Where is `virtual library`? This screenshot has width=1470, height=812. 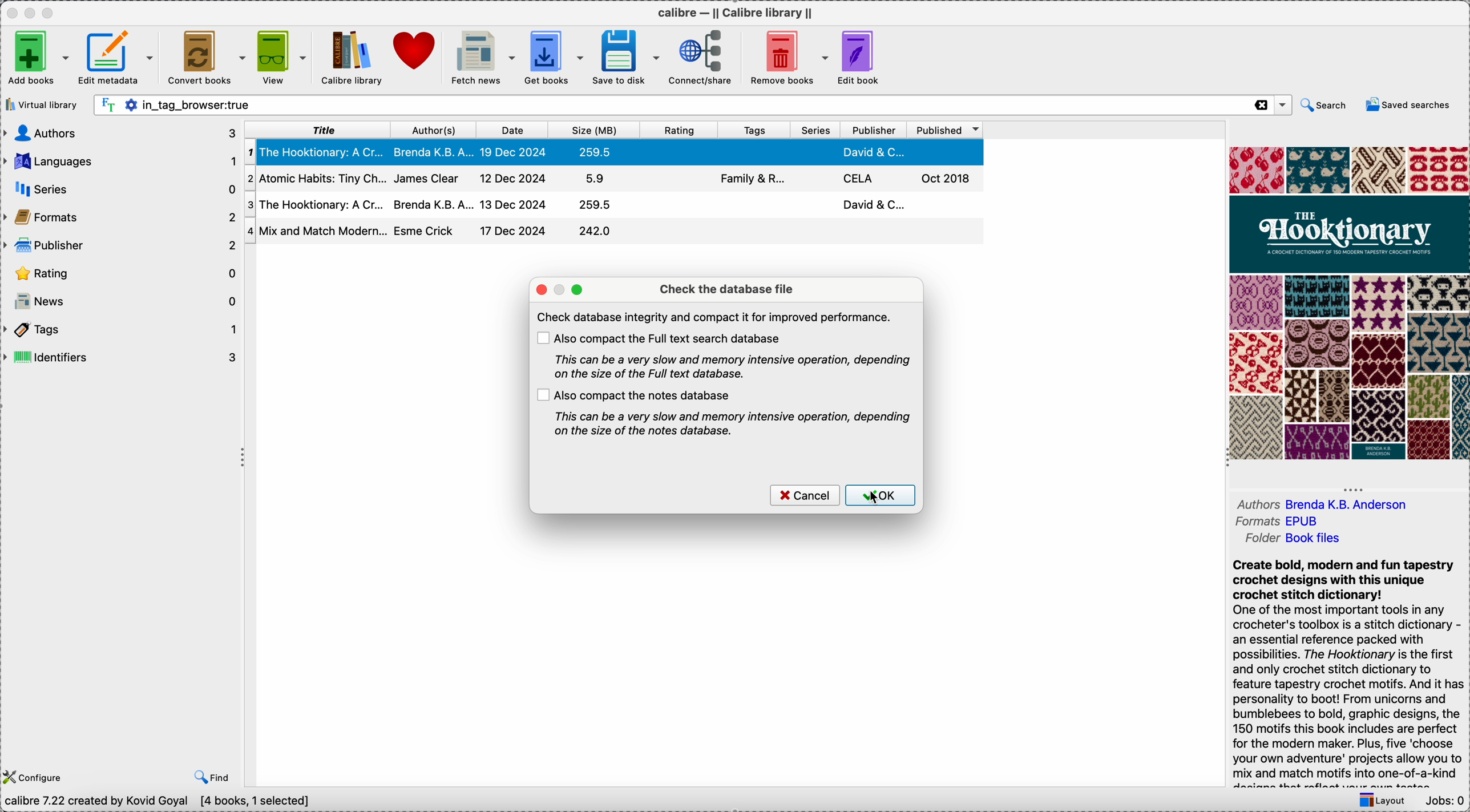
virtual library is located at coordinates (41, 104).